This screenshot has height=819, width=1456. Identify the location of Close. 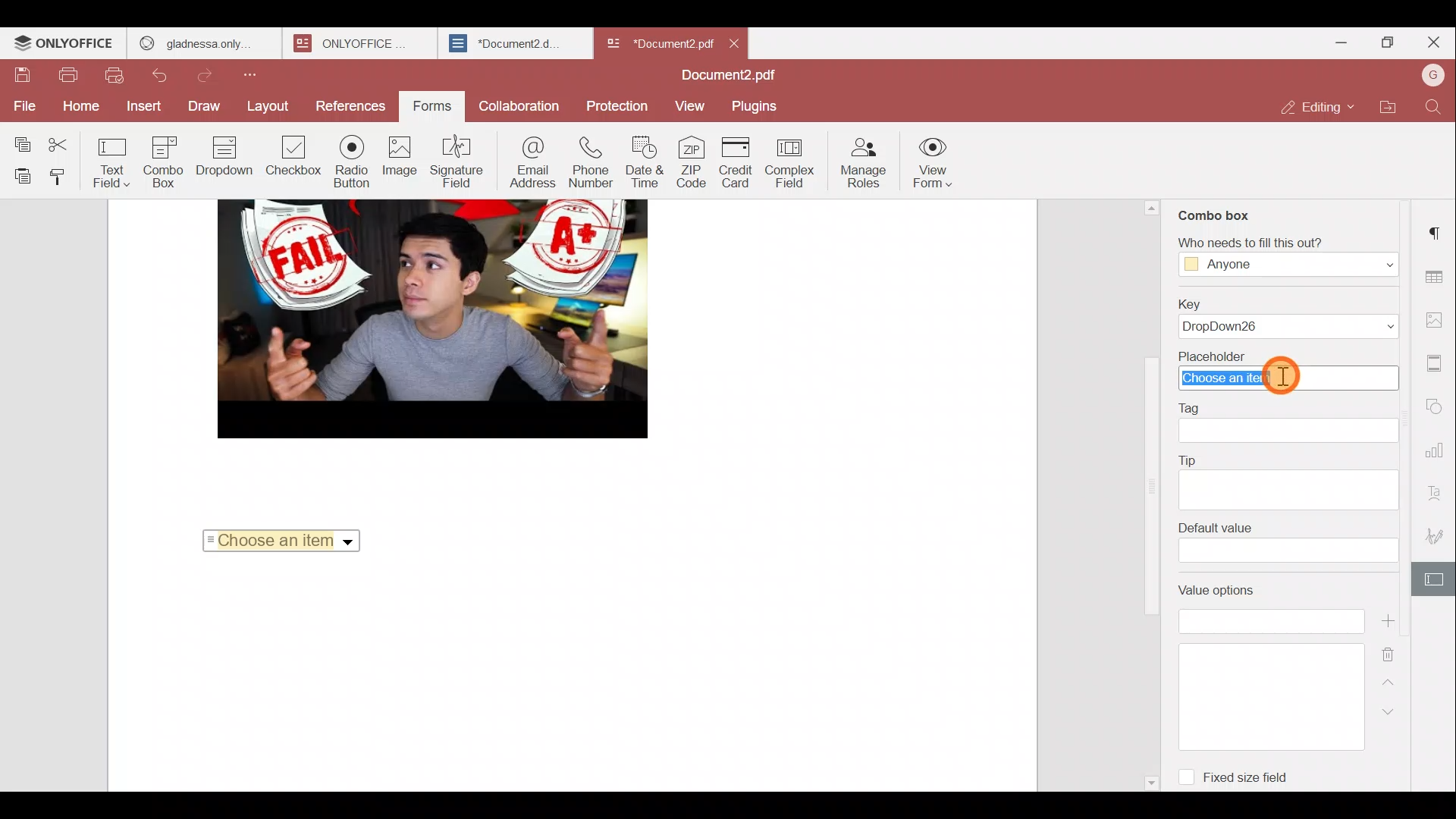
(1433, 42).